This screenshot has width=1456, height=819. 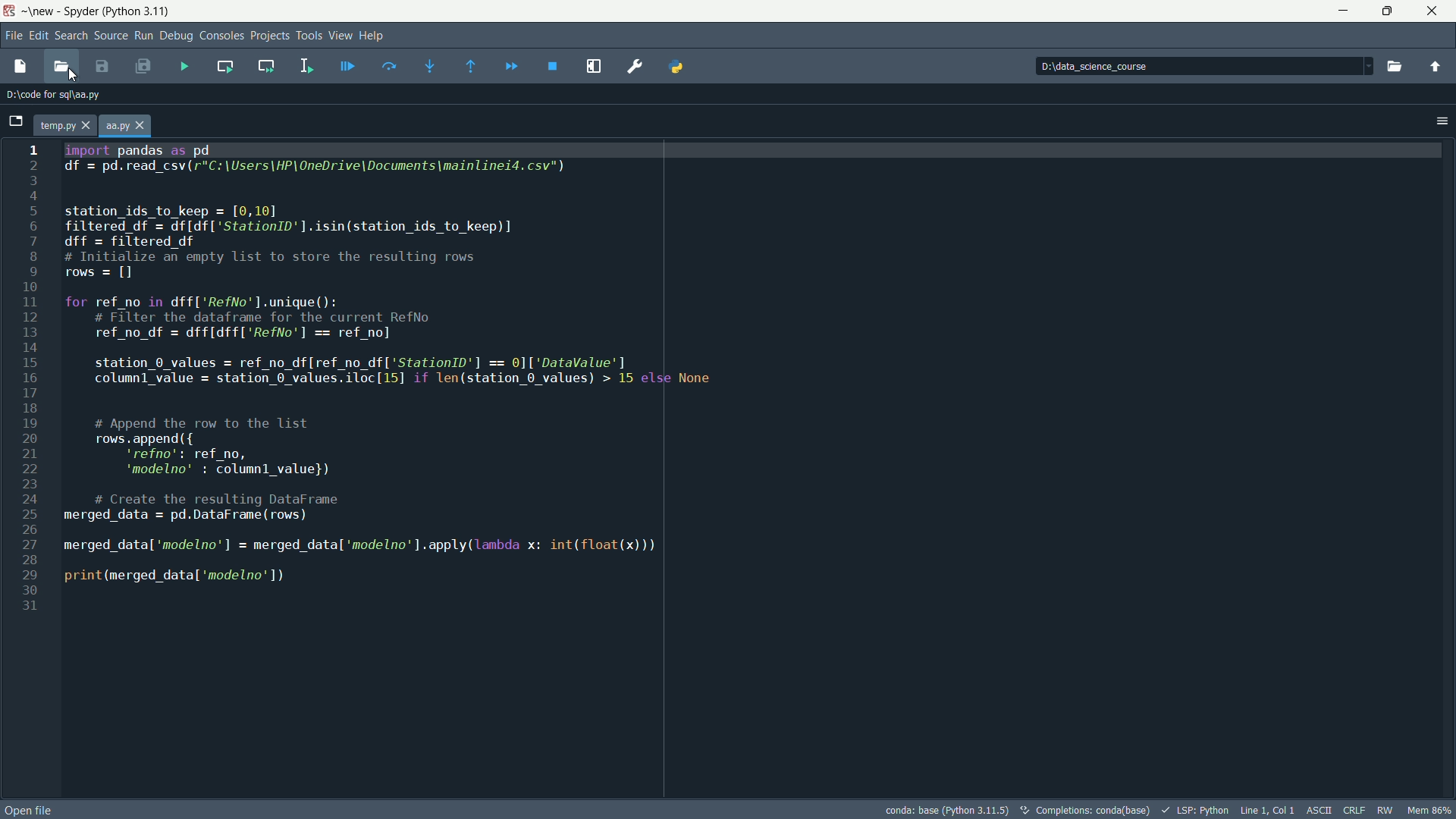 What do you see at coordinates (184, 68) in the screenshot?
I see `run file` at bounding box center [184, 68].